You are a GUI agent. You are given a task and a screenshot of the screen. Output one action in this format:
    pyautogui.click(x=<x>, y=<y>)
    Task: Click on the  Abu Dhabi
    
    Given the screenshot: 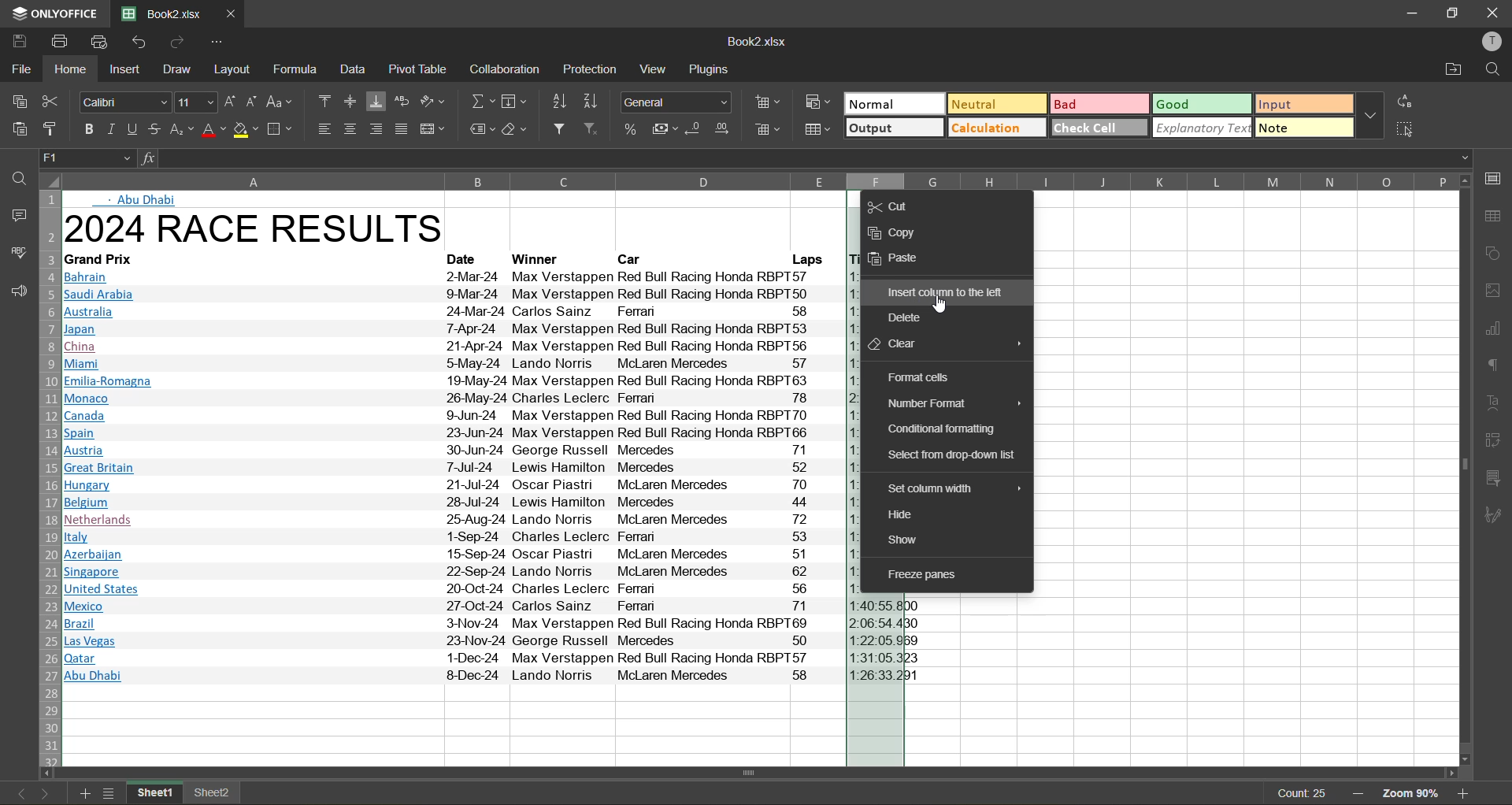 What is the action you would take?
    pyautogui.click(x=150, y=200)
    